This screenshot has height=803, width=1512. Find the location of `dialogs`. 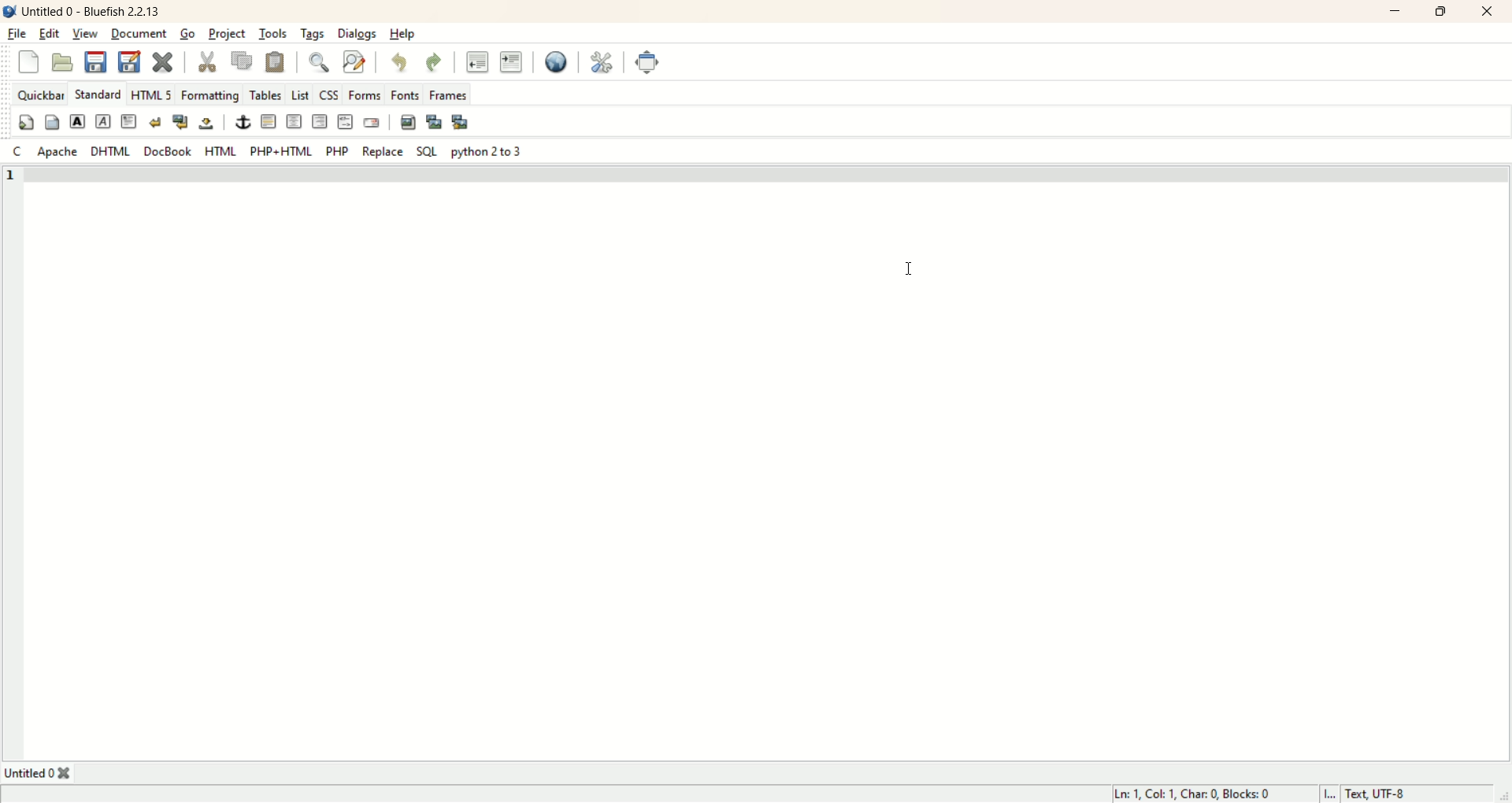

dialogs is located at coordinates (358, 33).